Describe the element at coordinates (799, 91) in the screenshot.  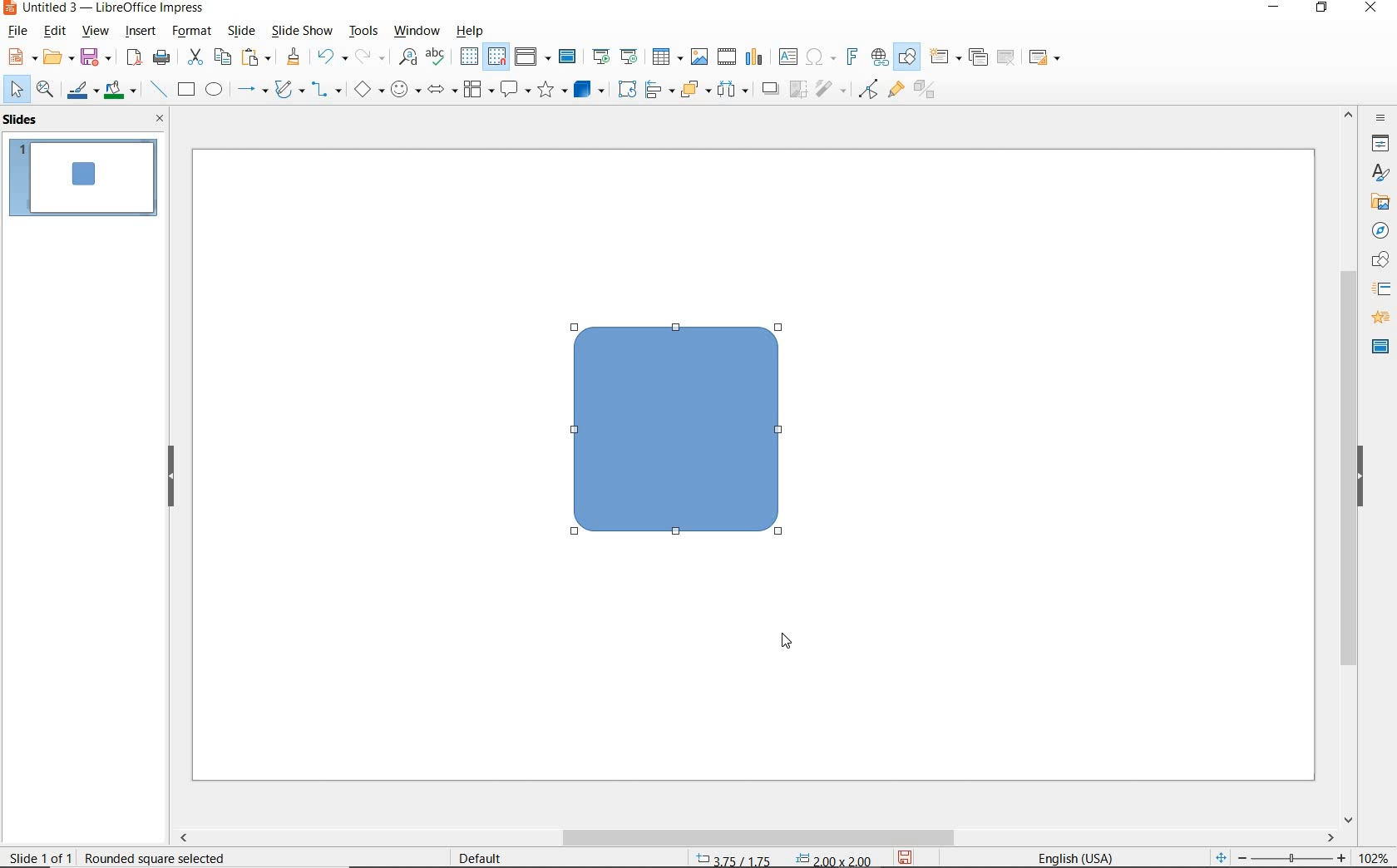
I see `crop image` at that location.